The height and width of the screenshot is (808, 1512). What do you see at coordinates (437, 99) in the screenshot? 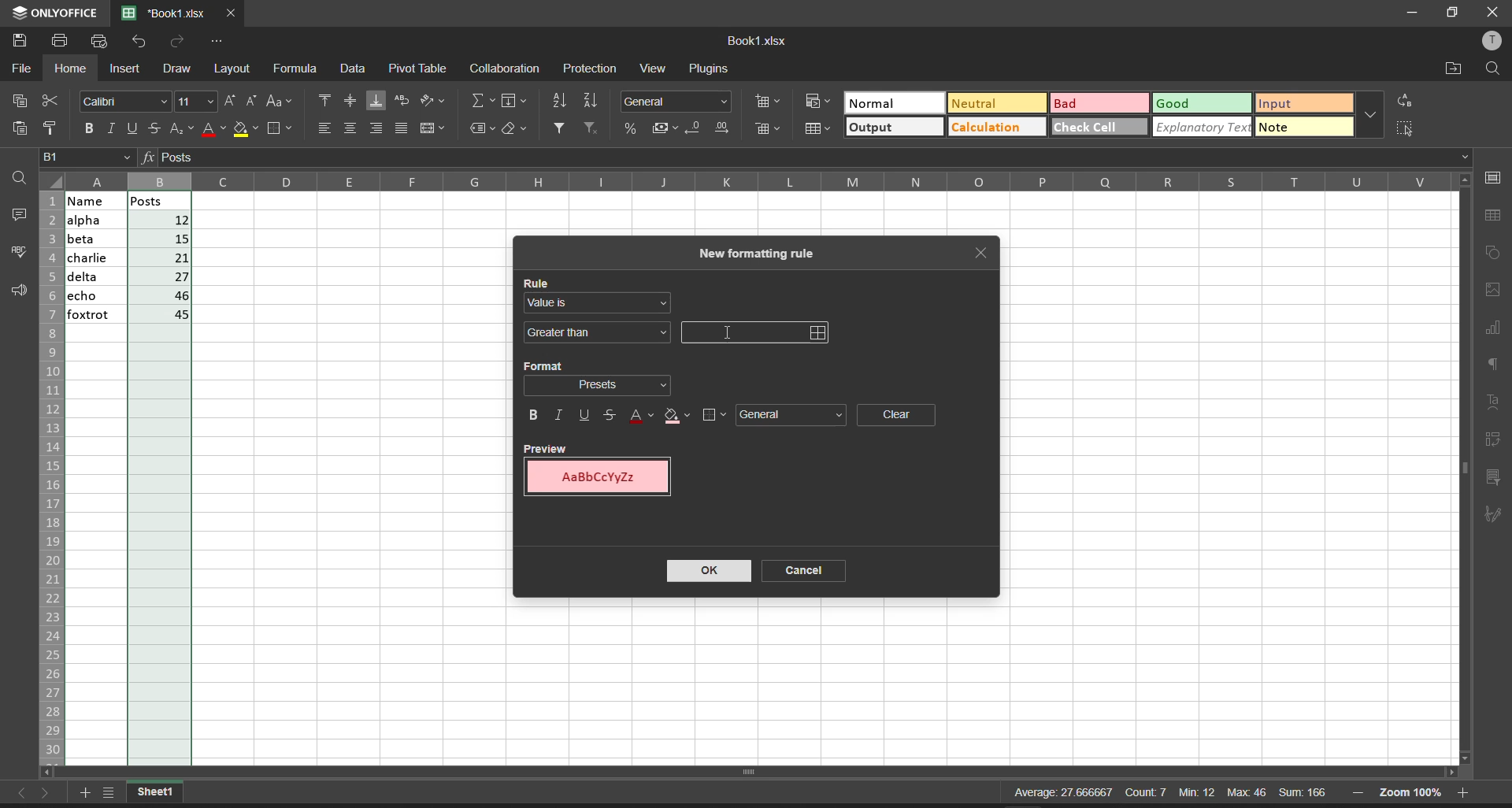
I see `orientation` at bounding box center [437, 99].